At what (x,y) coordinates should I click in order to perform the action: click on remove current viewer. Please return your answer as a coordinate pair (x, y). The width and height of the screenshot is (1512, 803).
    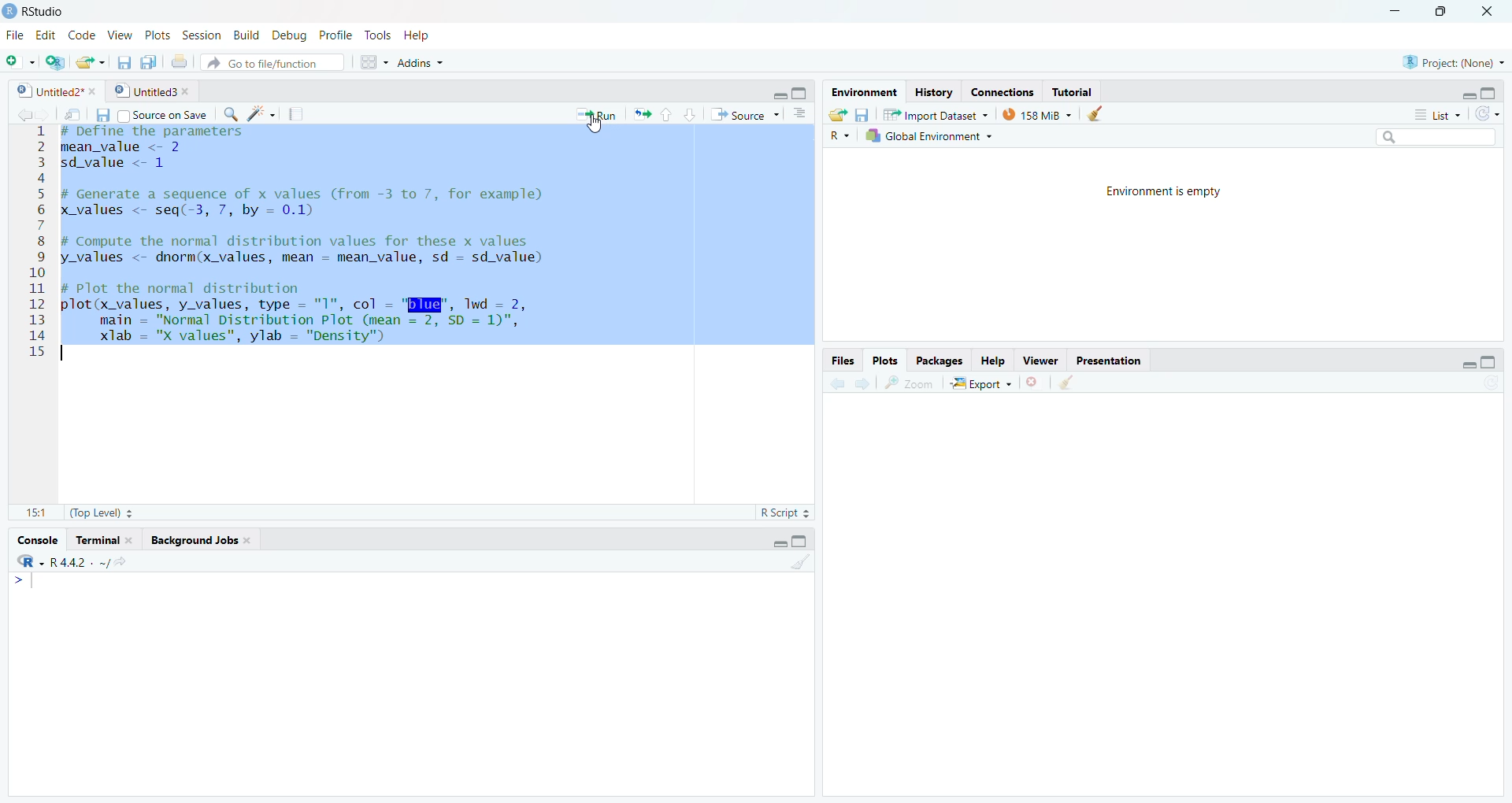
    Looking at the image, I should click on (1033, 382).